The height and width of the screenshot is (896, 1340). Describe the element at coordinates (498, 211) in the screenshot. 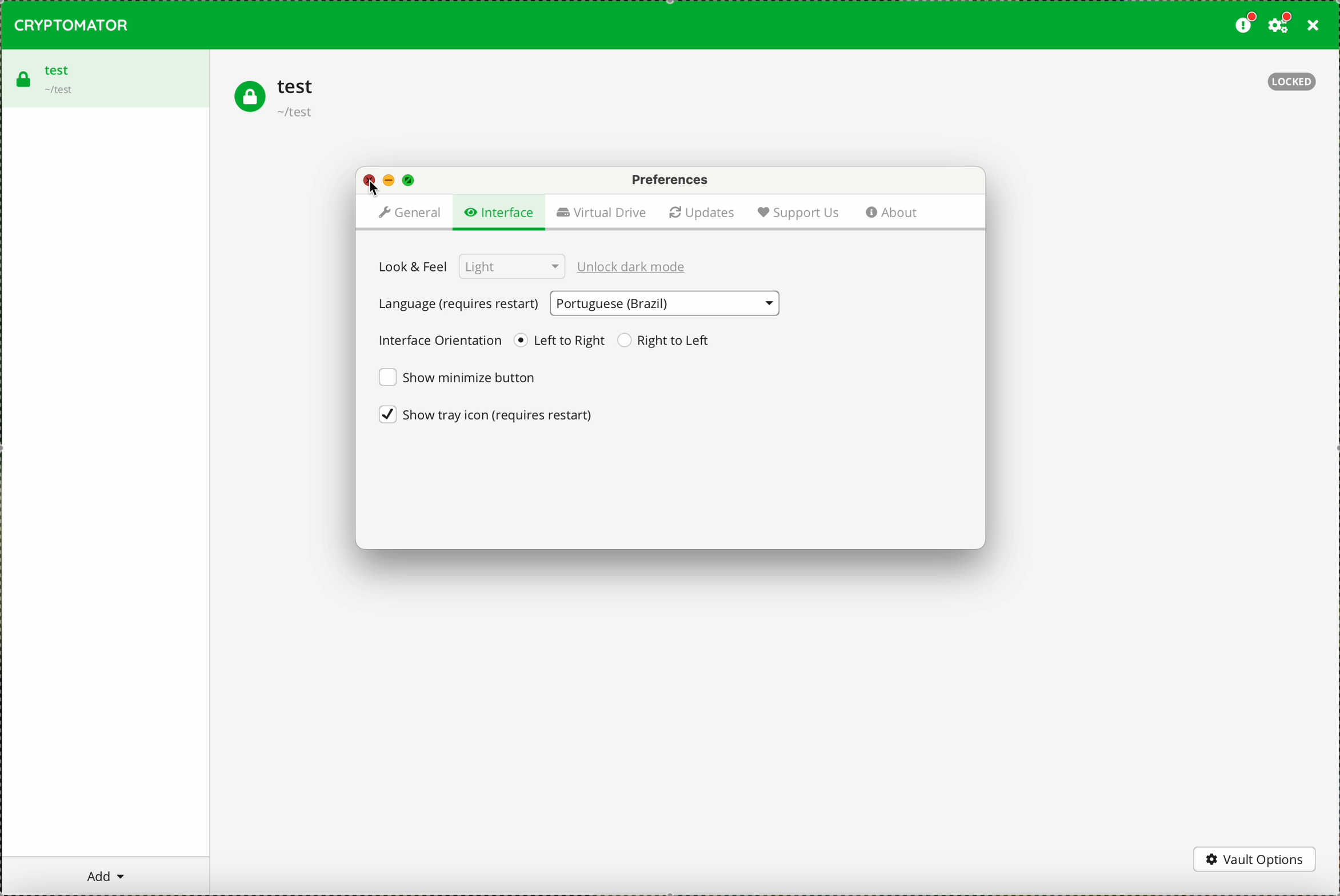

I see `click on interface` at that location.